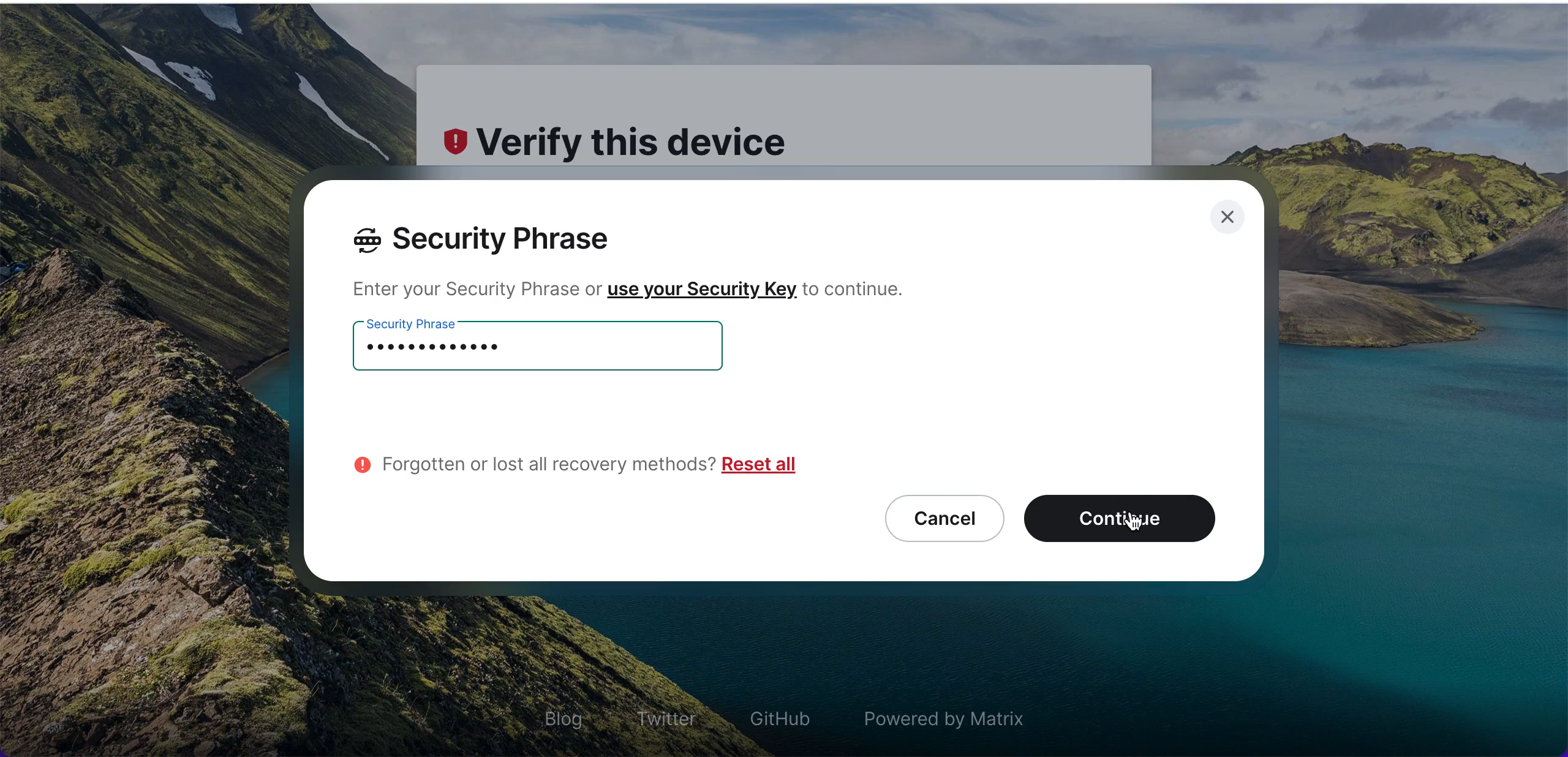  What do you see at coordinates (500, 239) in the screenshot?
I see `security phrase` at bounding box center [500, 239].